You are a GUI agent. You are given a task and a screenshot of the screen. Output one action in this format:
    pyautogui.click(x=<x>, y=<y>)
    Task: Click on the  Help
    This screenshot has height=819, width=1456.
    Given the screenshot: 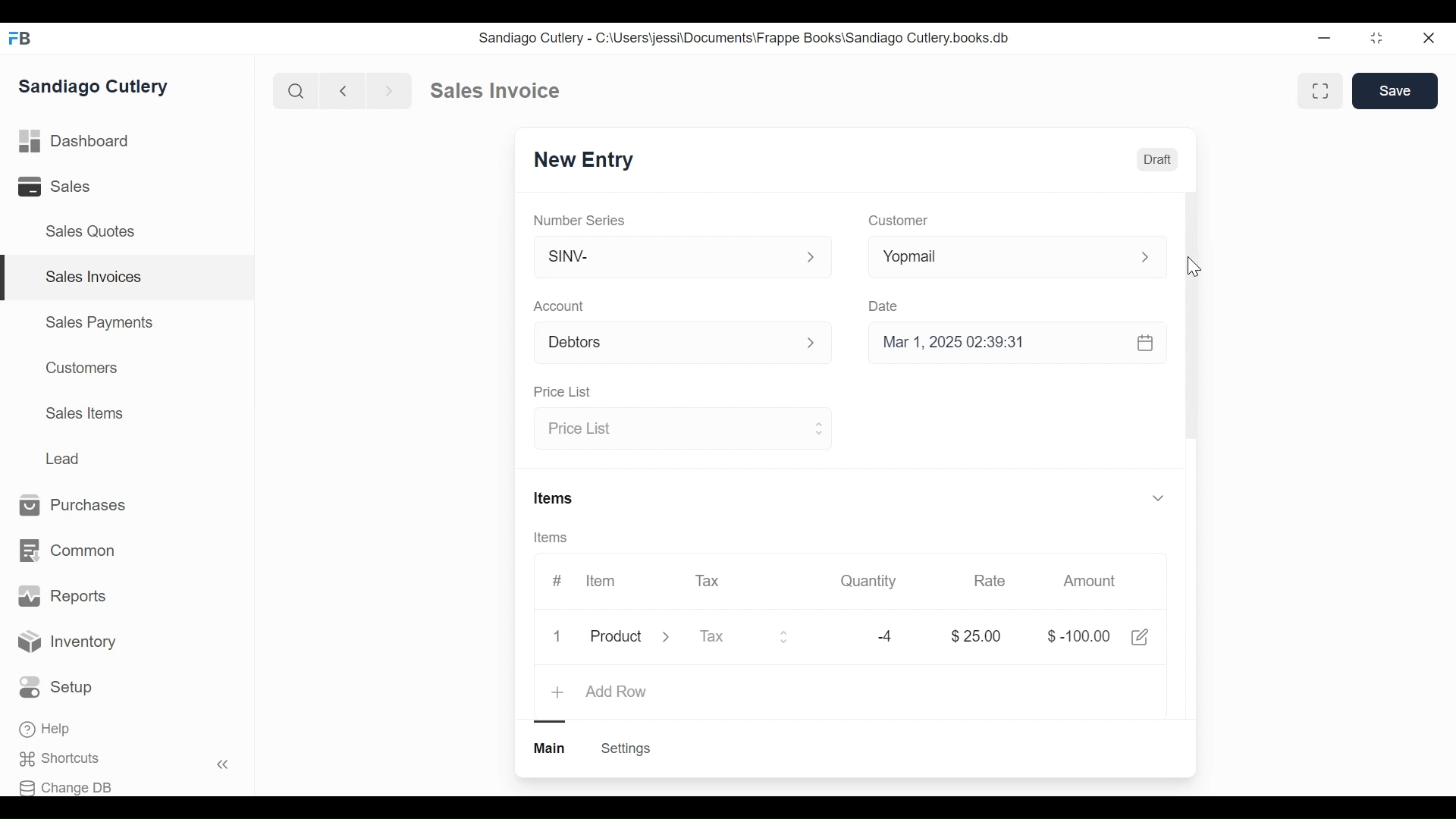 What is the action you would take?
    pyautogui.click(x=45, y=729)
    